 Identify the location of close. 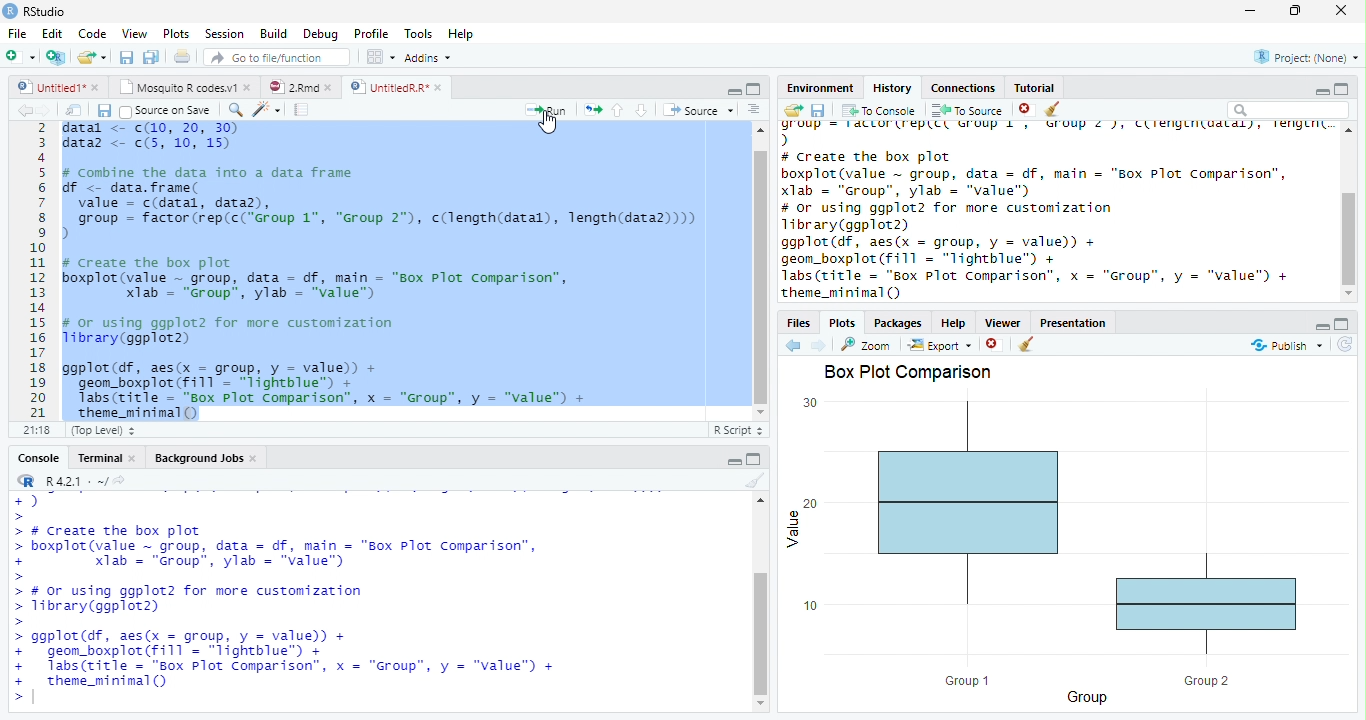
(248, 87).